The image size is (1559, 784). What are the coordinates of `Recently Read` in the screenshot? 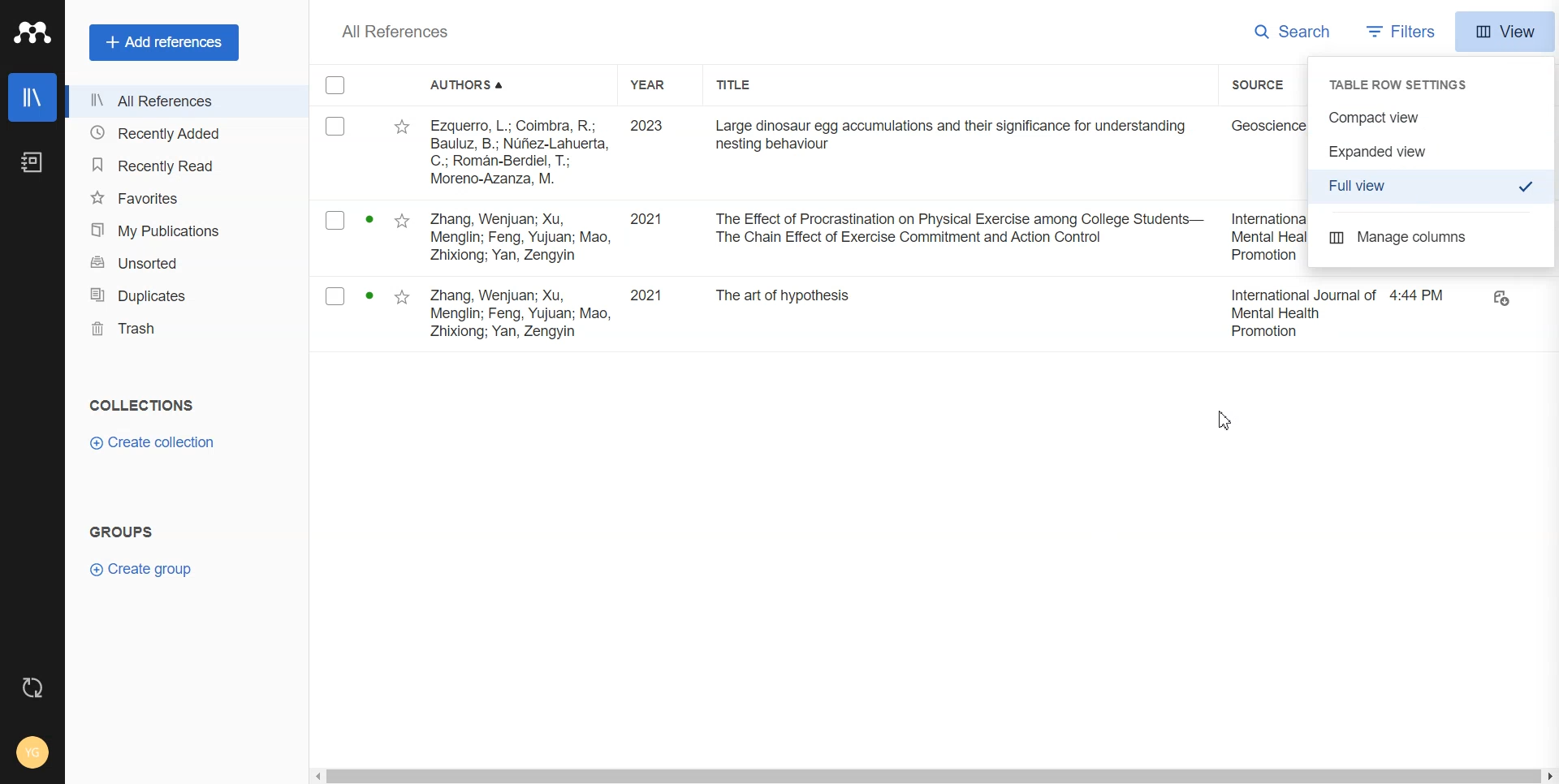 It's located at (172, 164).